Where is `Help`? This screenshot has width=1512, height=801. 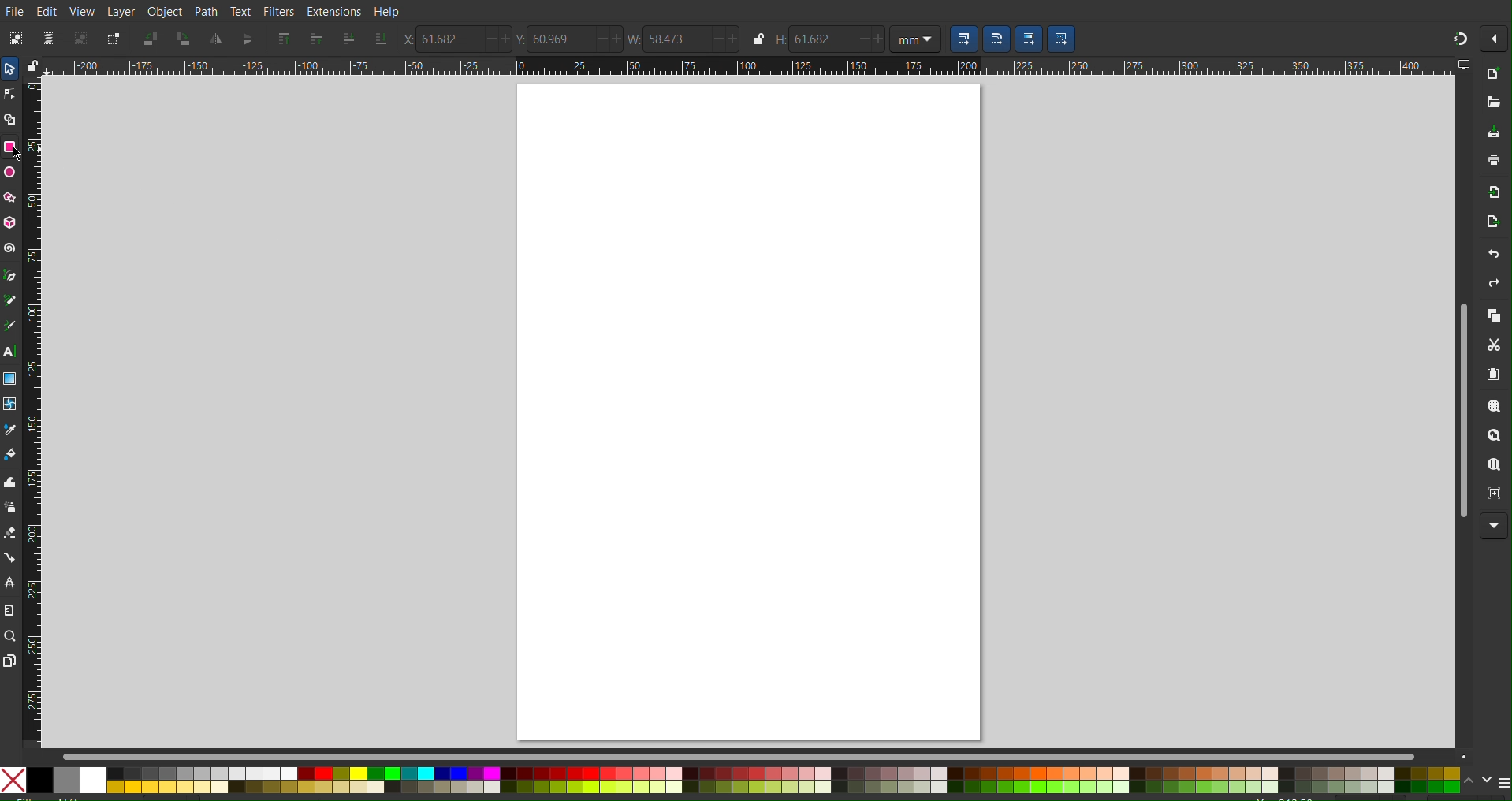
Help is located at coordinates (390, 10).